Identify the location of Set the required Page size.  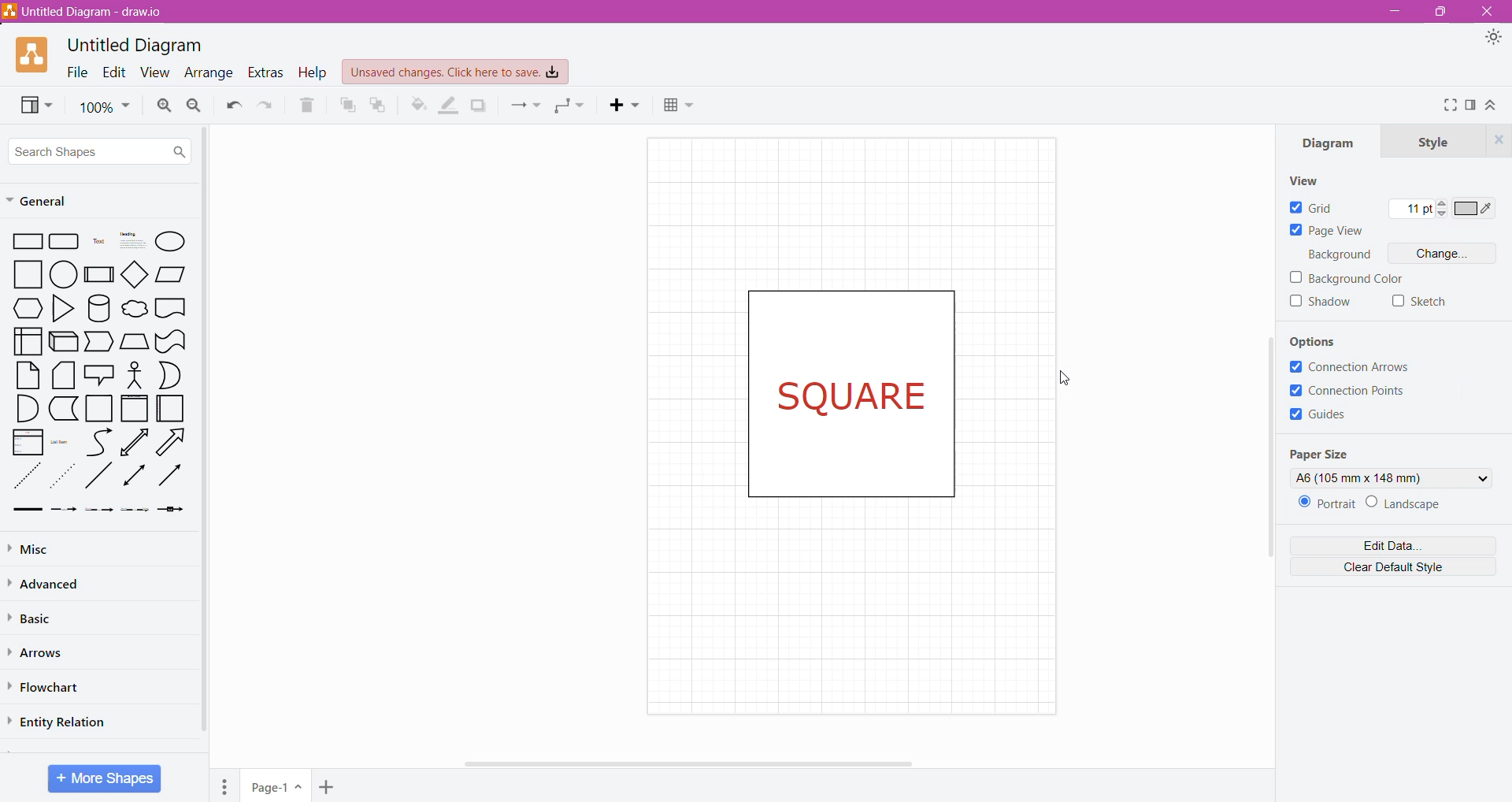
(1391, 477).